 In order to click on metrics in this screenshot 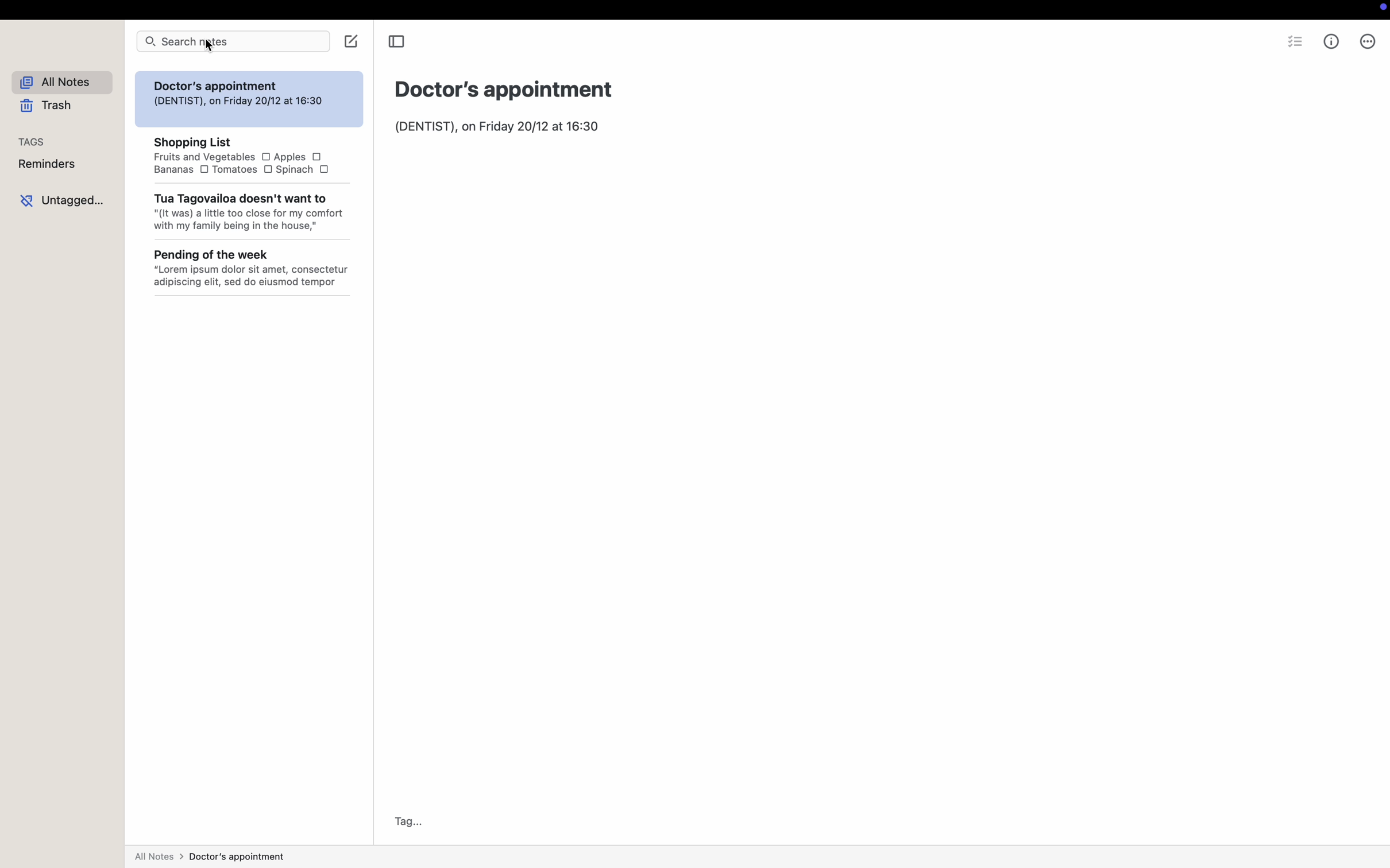, I will do `click(1333, 42)`.